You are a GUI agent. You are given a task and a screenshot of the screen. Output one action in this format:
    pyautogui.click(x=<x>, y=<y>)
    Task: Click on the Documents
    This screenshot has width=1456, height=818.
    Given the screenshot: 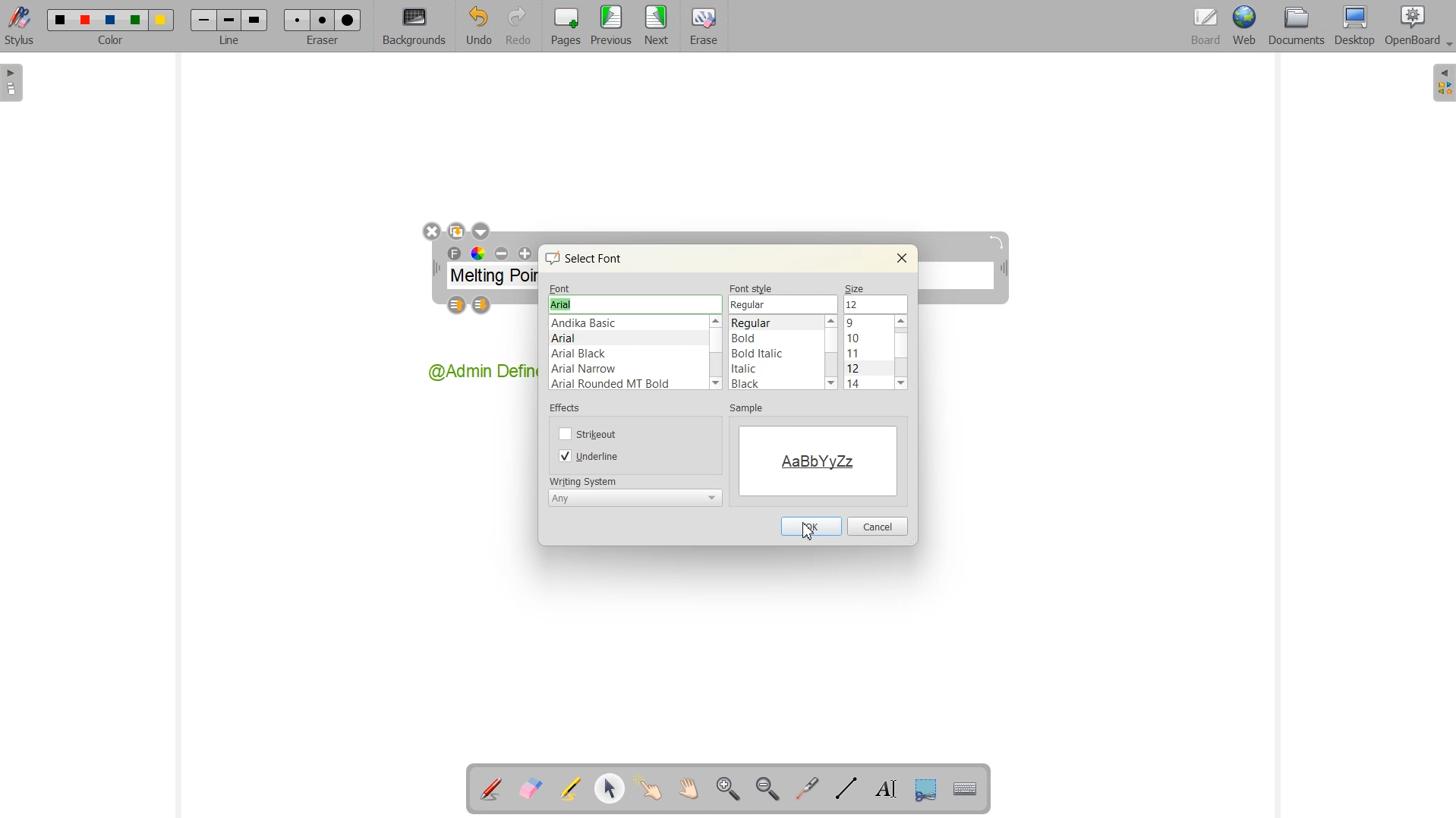 What is the action you would take?
    pyautogui.click(x=1296, y=27)
    